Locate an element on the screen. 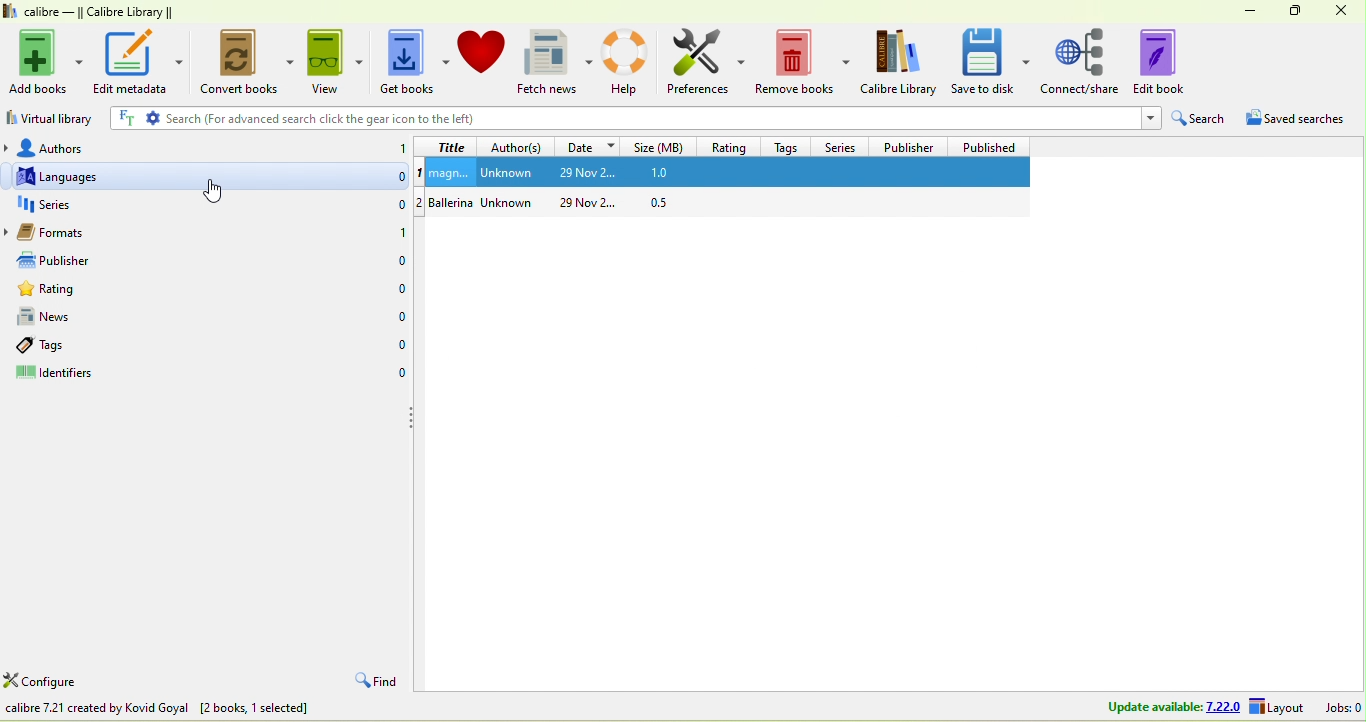  view is located at coordinates (336, 62).